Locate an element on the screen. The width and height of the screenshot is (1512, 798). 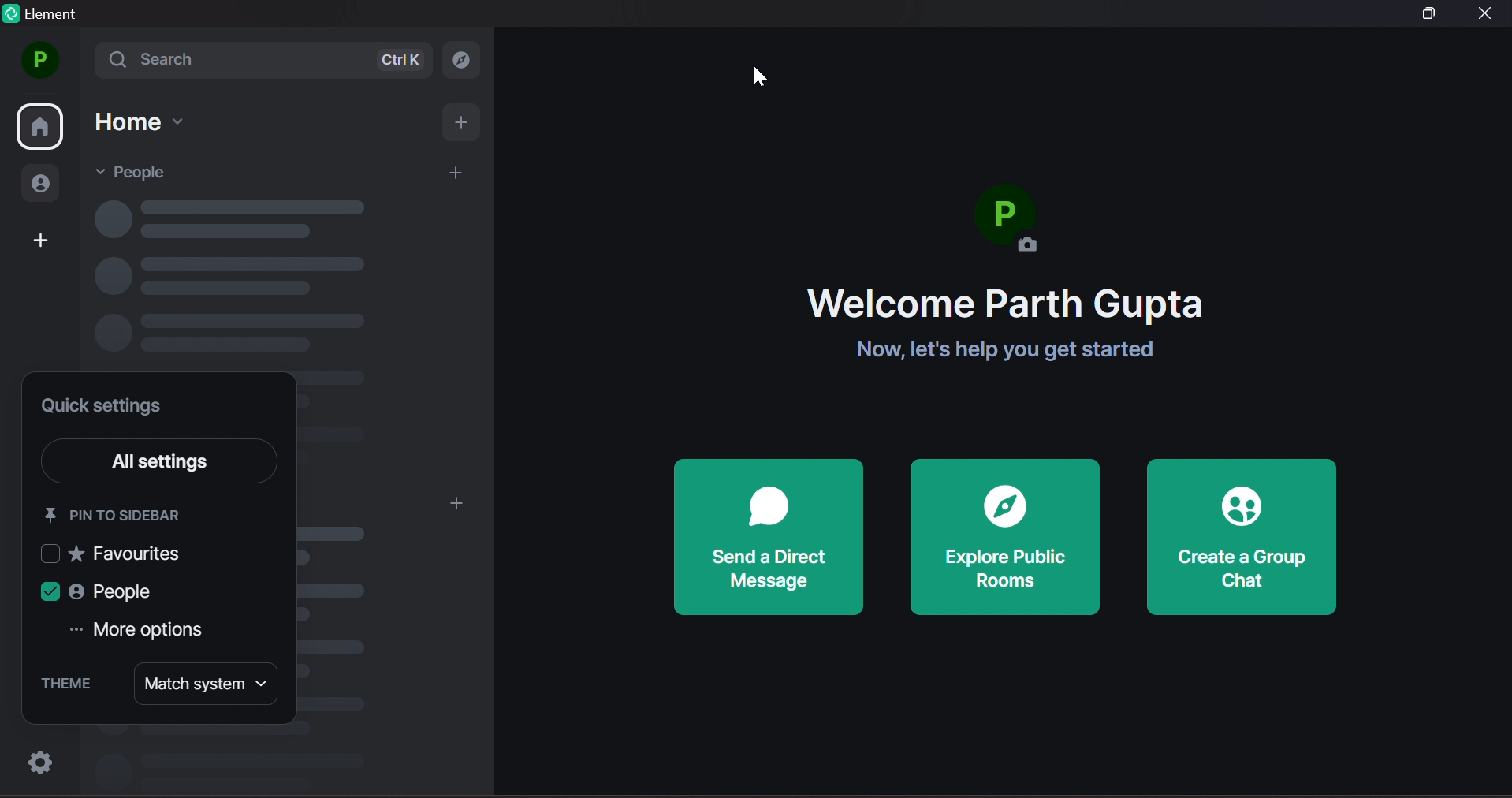
send a direct message is located at coordinates (769, 538).